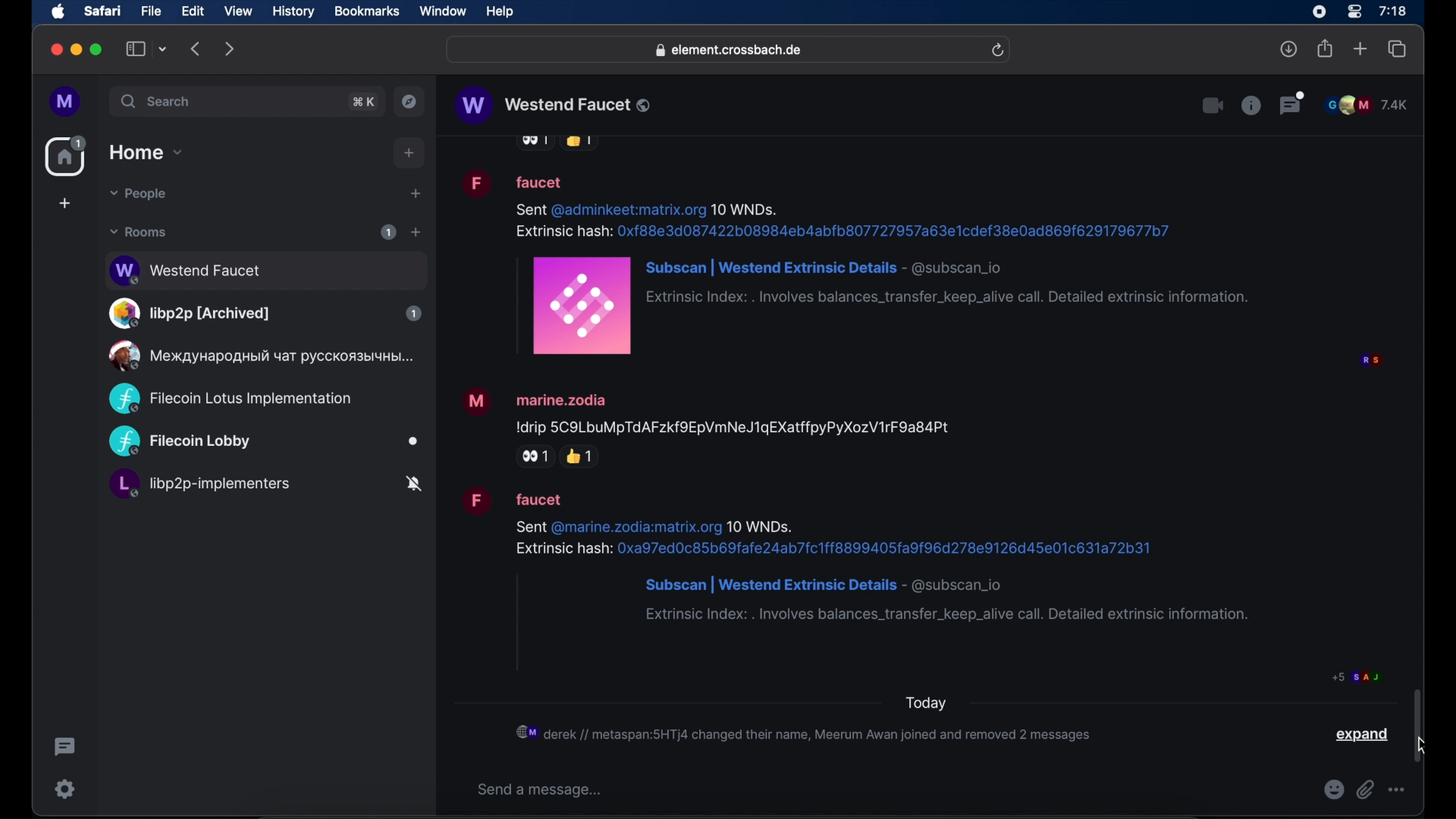 The height and width of the screenshot is (819, 1456). What do you see at coordinates (1366, 789) in the screenshot?
I see `attach file` at bounding box center [1366, 789].